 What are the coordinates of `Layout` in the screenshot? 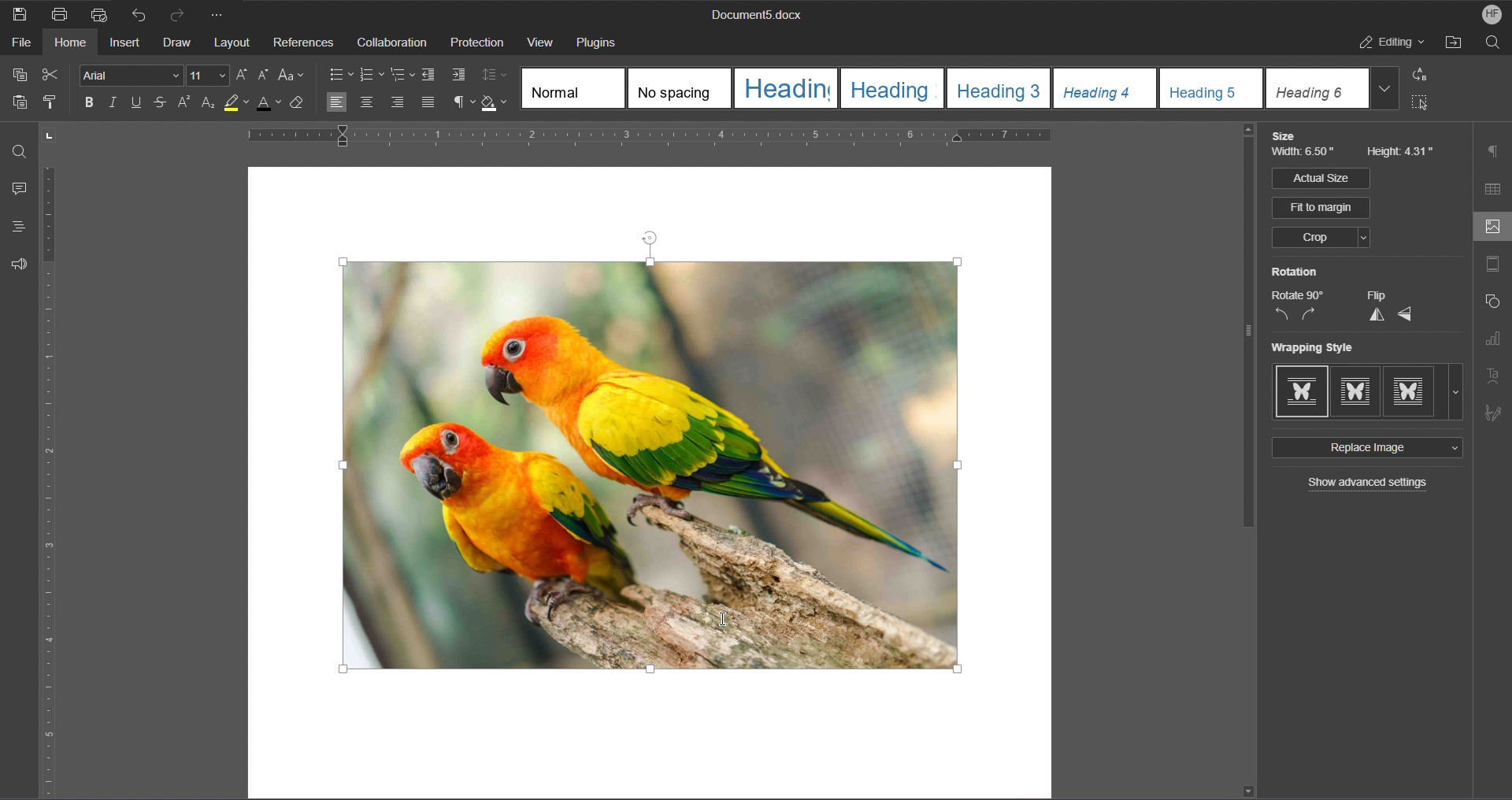 It's located at (234, 43).